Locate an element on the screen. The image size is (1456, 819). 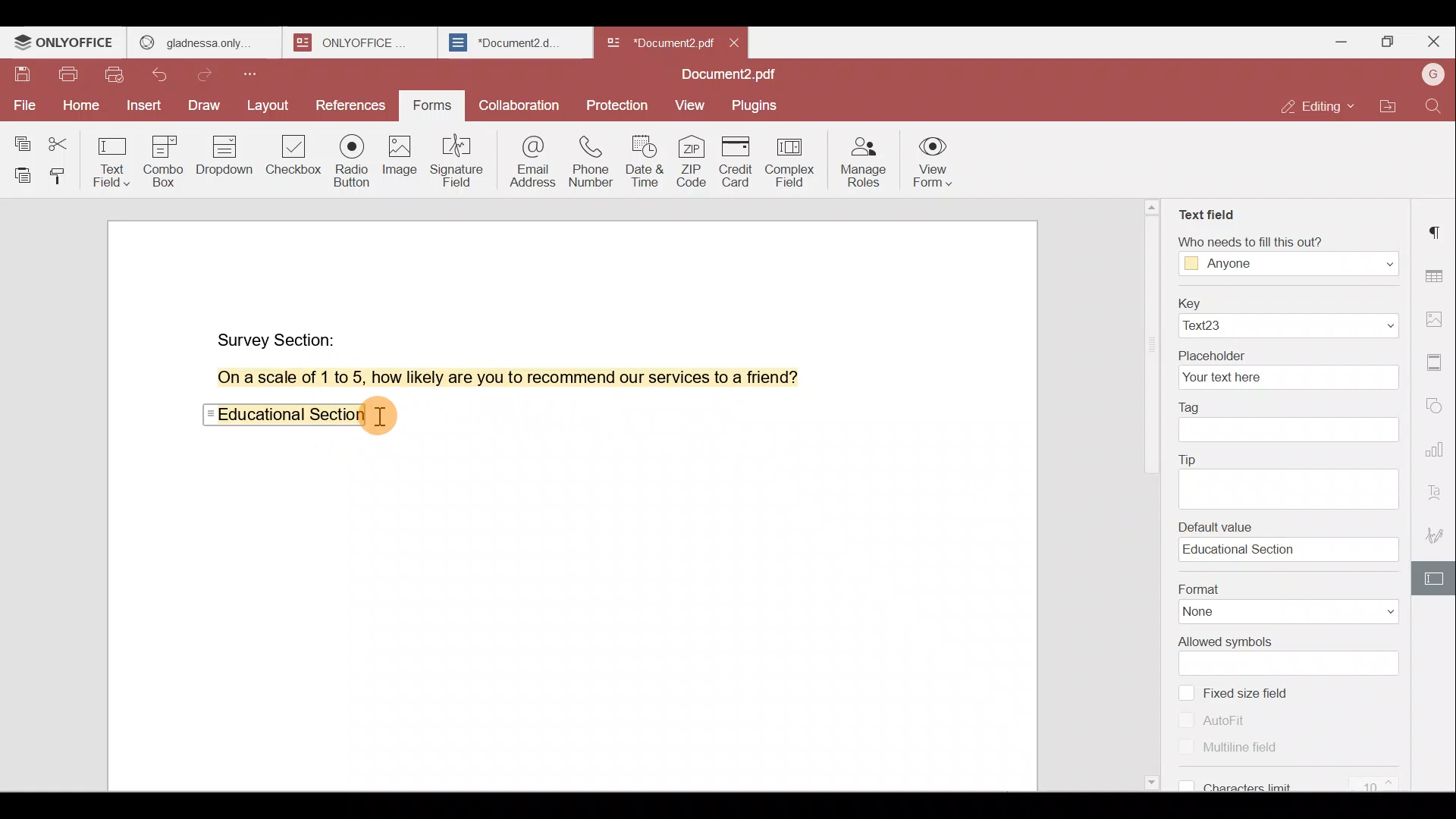
Close is located at coordinates (1433, 42).